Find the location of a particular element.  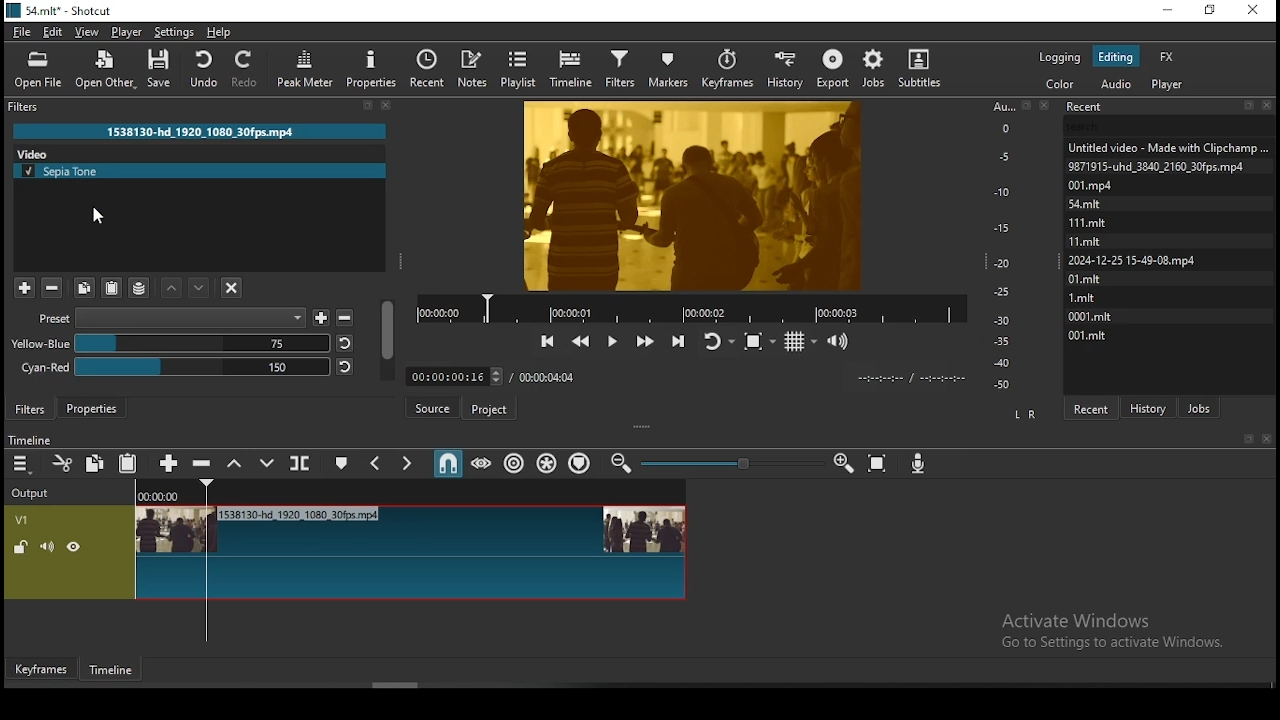

00:00:00 is located at coordinates (156, 497).